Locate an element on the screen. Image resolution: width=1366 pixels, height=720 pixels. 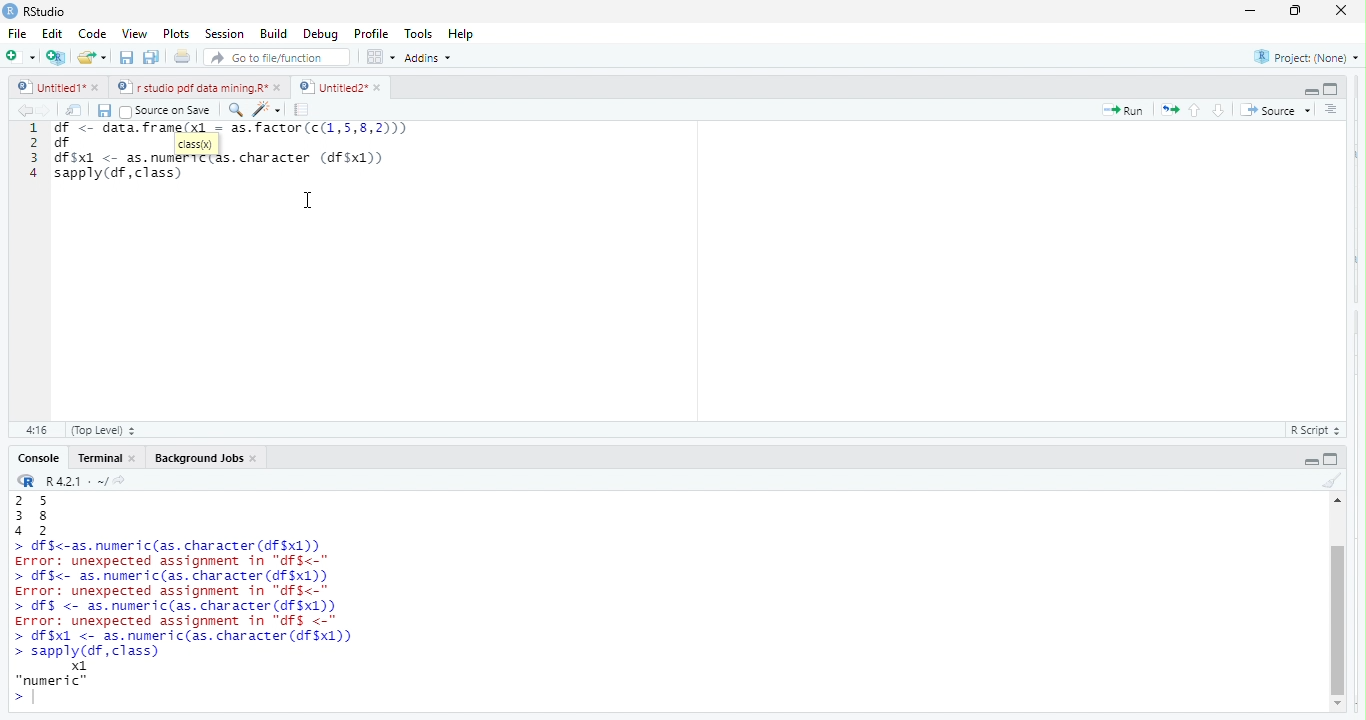
Untitied2 is located at coordinates (329, 89).